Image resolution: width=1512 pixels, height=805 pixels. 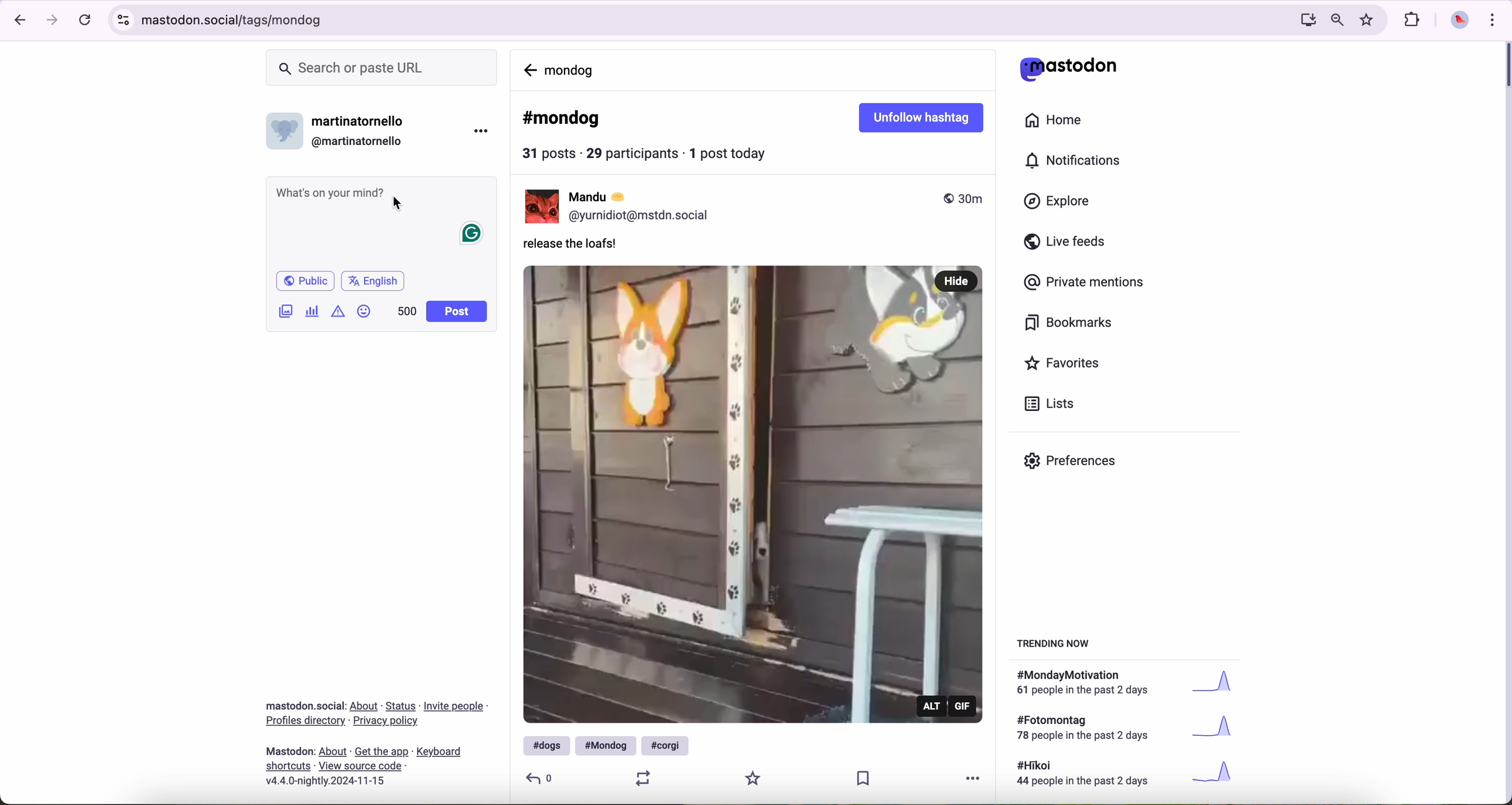 What do you see at coordinates (957, 279) in the screenshot?
I see `hide` at bounding box center [957, 279].